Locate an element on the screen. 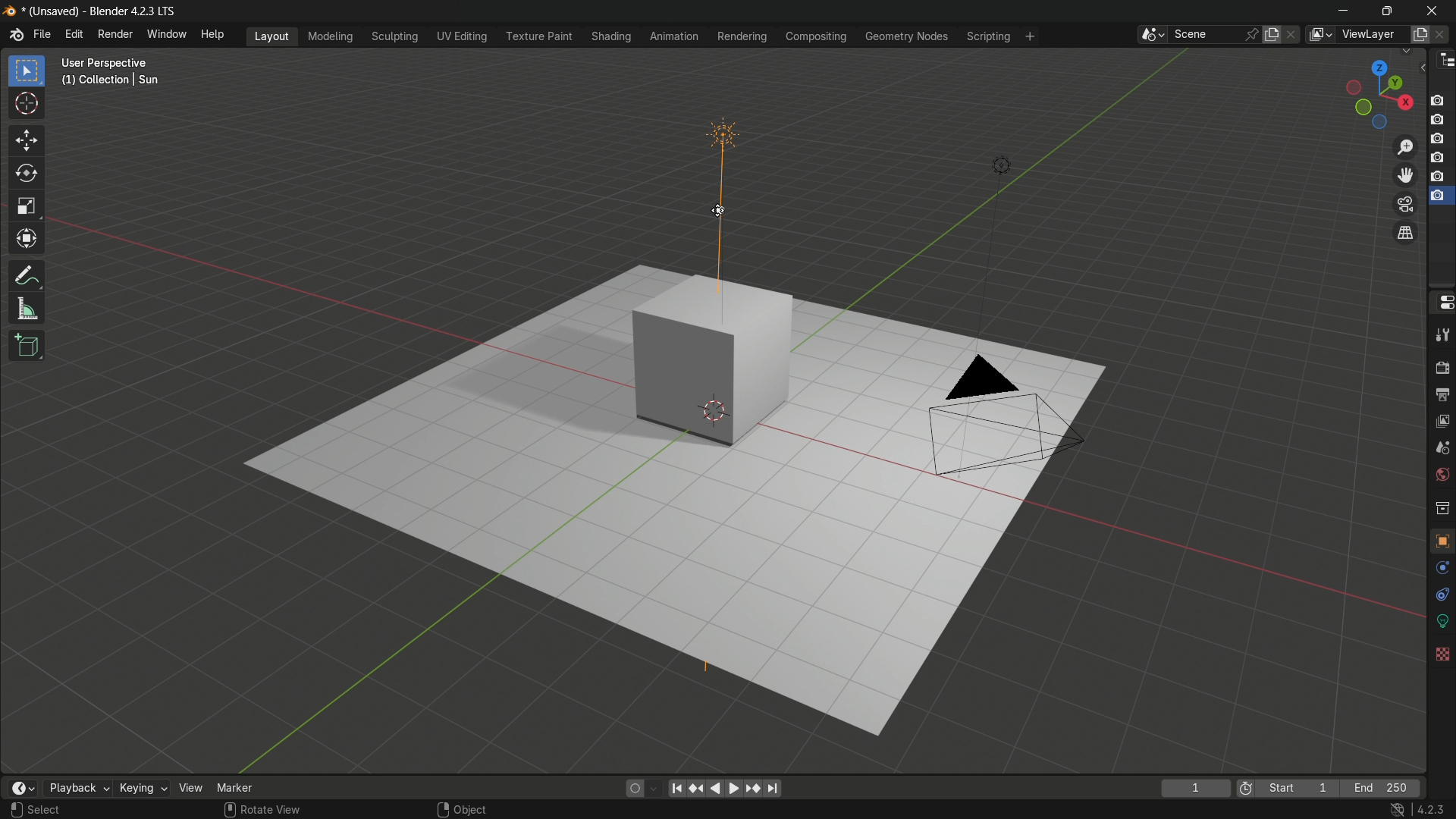 The width and height of the screenshot is (1456, 819). sculpting is located at coordinates (394, 37).